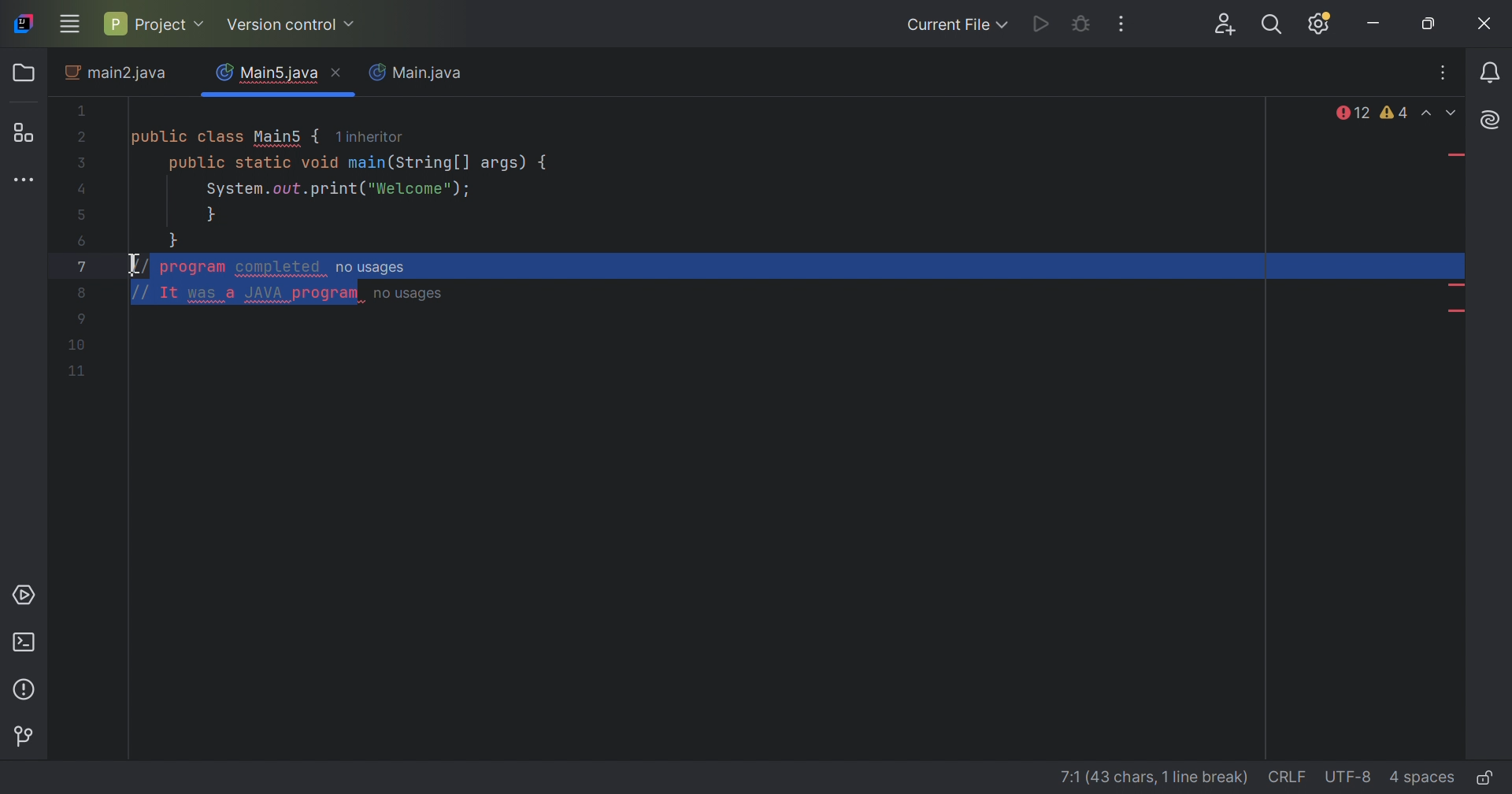  What do you see at coordinates (76, 346) in the screenshot?
I see `Code lines` at bounding box center [76, 346].